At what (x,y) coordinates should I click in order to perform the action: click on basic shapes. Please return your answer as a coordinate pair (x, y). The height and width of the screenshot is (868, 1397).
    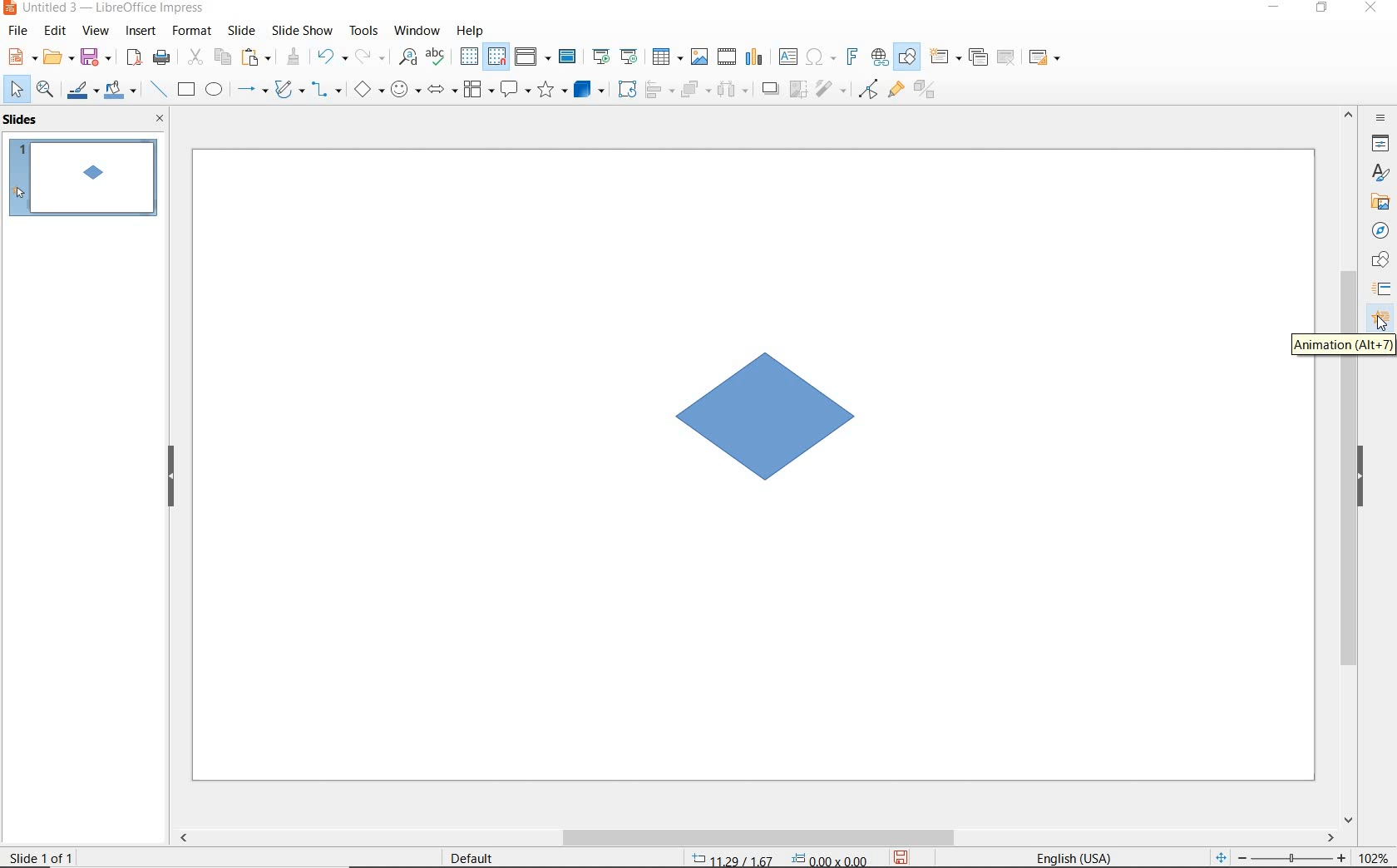
    Looking at the image, I should click on (368, 89).